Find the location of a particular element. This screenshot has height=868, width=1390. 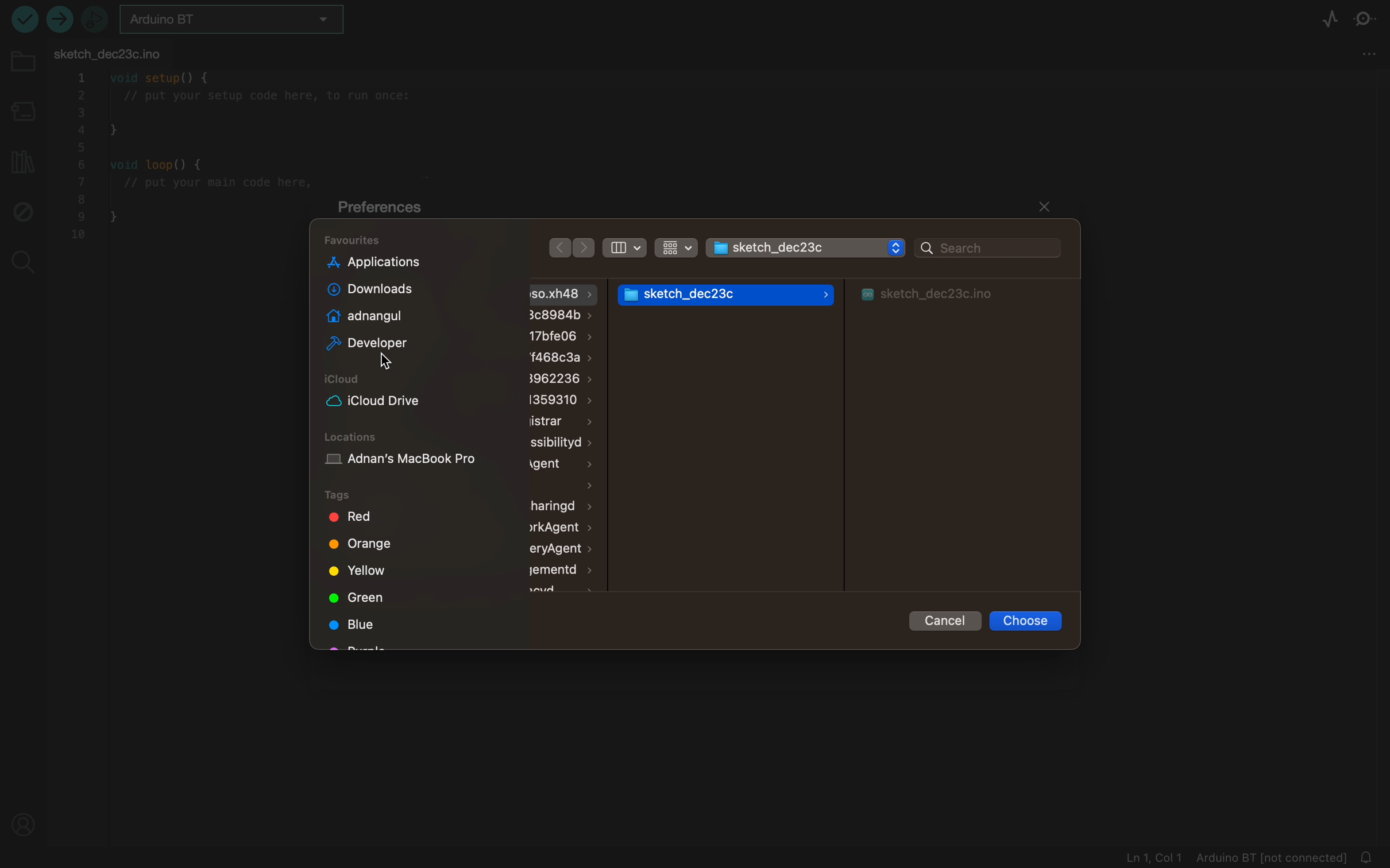

search is located at coordinates (991, 247).